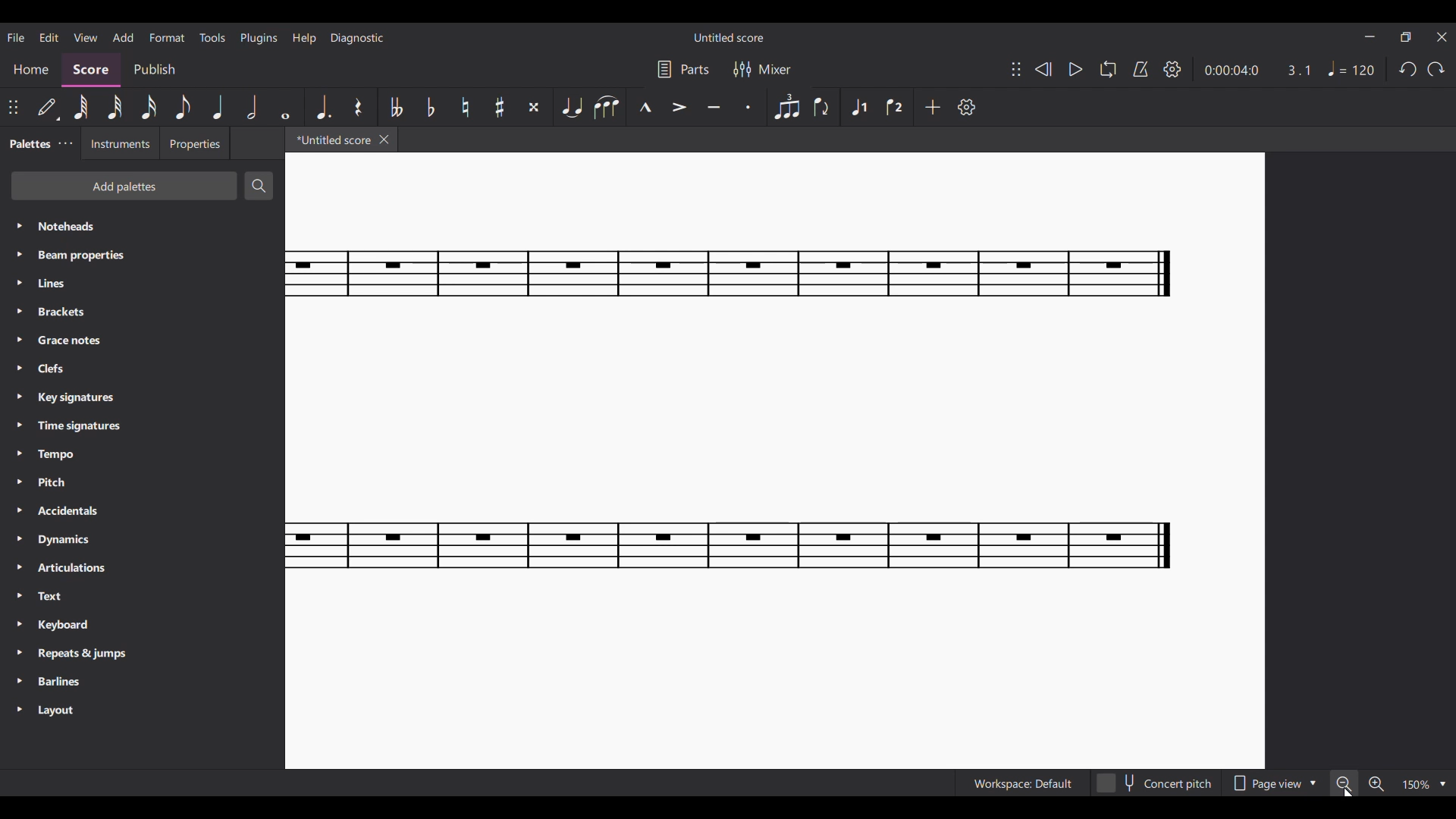 The height and width of the screenshot is (819, 1456). Describe the element at coordinates (143, 653) in the screenshot. I see `Repeats & jumps` at that location.